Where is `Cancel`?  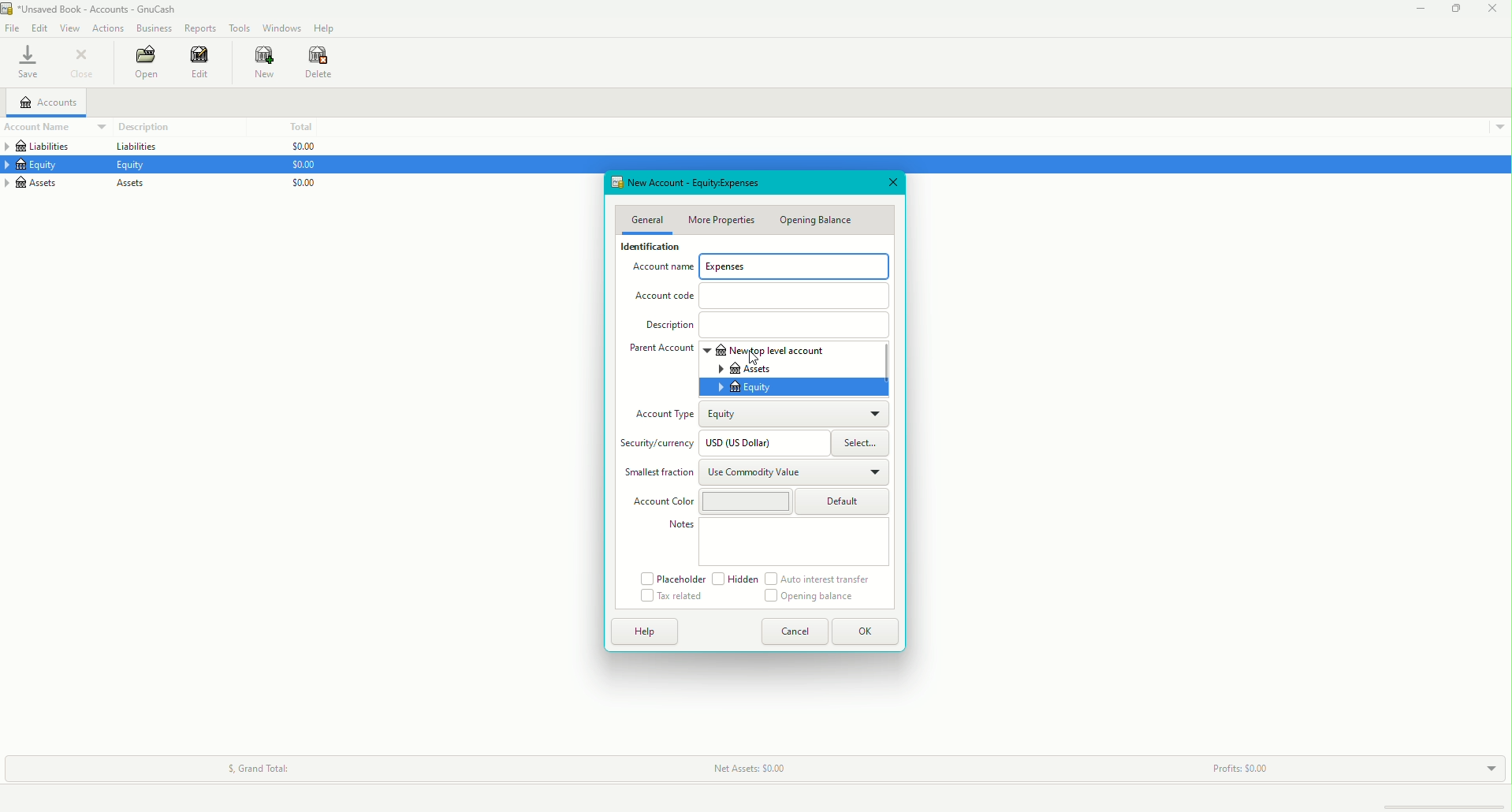 Cancel is located at coordinates (799, 634).